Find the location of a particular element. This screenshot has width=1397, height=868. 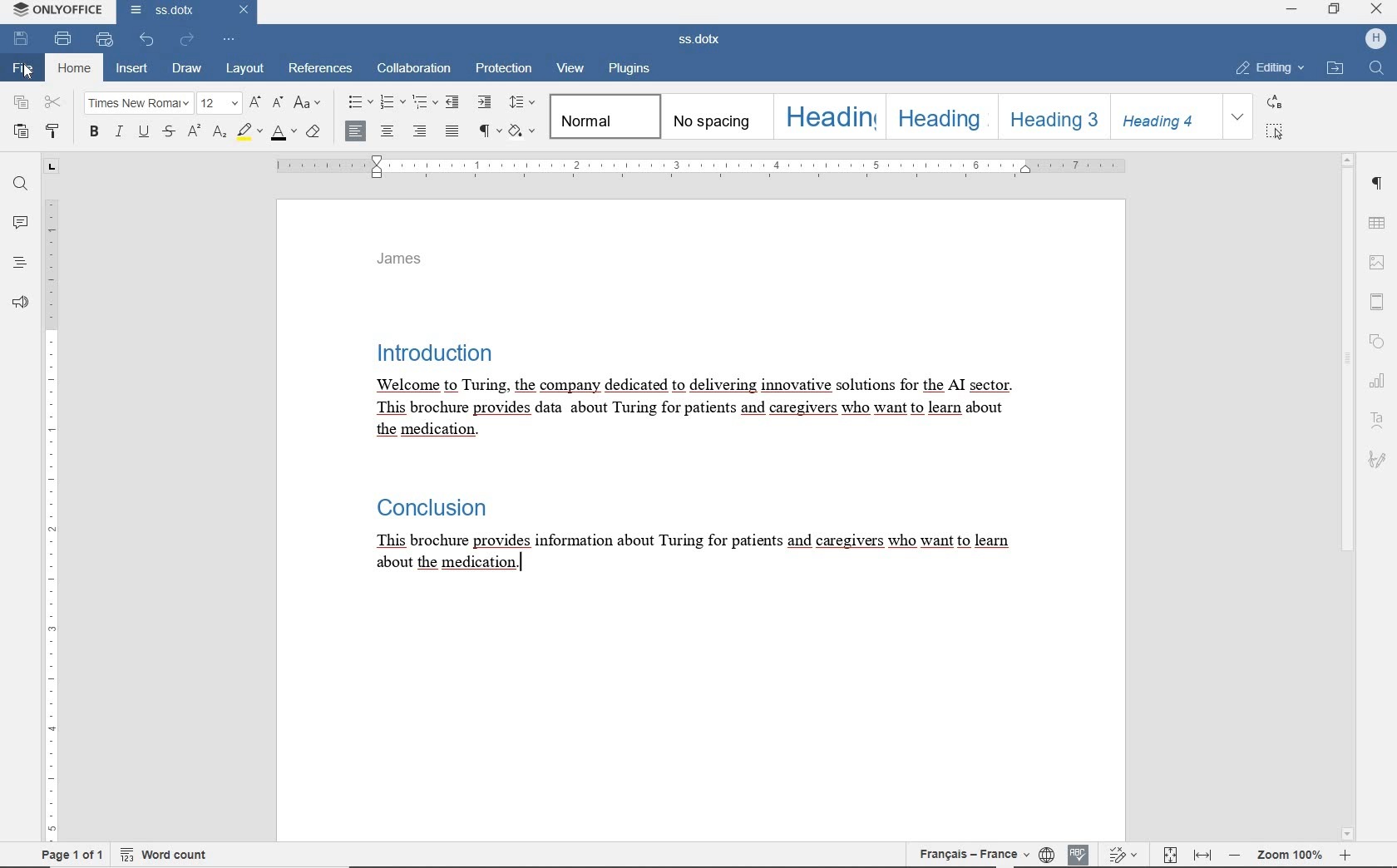

ALIGN RIGHT is located at coordinates (420, 131).